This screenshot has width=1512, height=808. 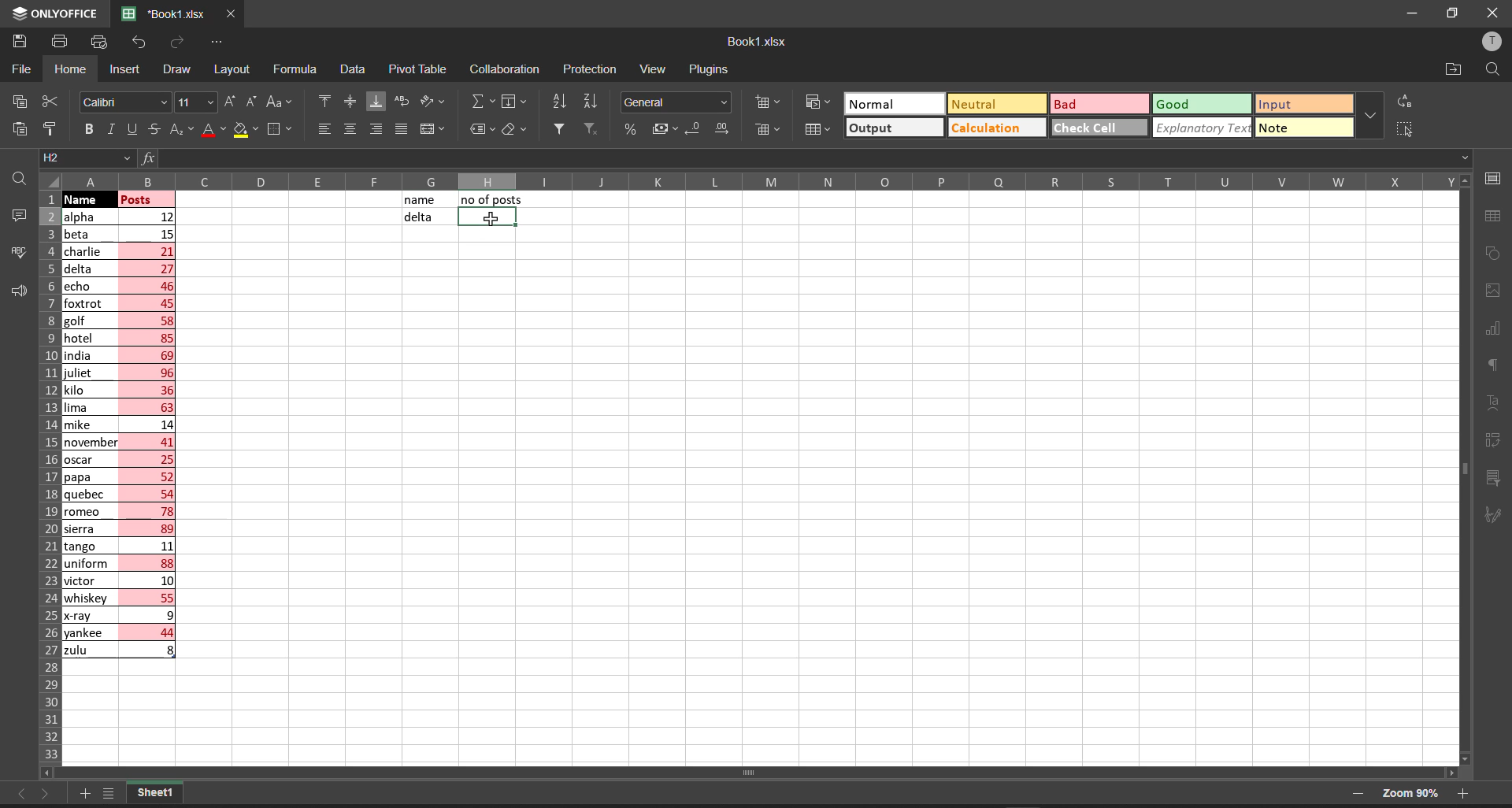 I want to click on fill, so click(x=517, y=102).